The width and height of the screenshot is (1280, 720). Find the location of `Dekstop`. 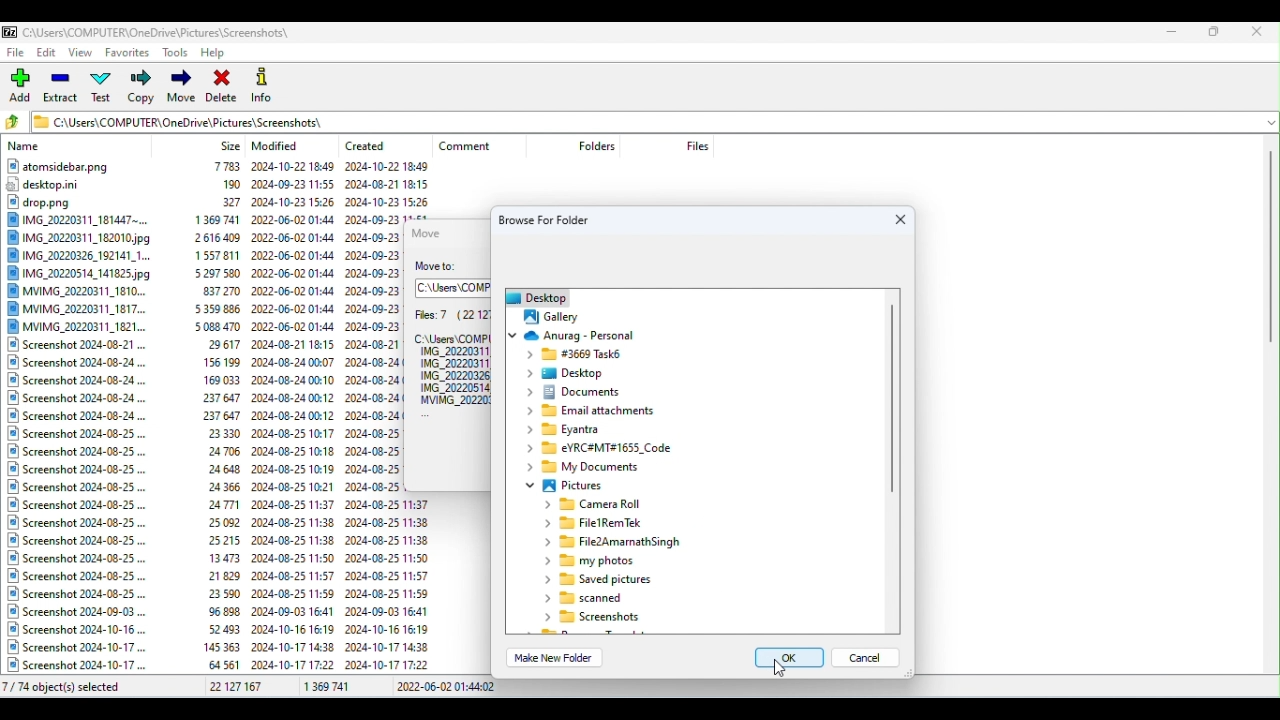

Dekstop is located at coordinates (571, 374).